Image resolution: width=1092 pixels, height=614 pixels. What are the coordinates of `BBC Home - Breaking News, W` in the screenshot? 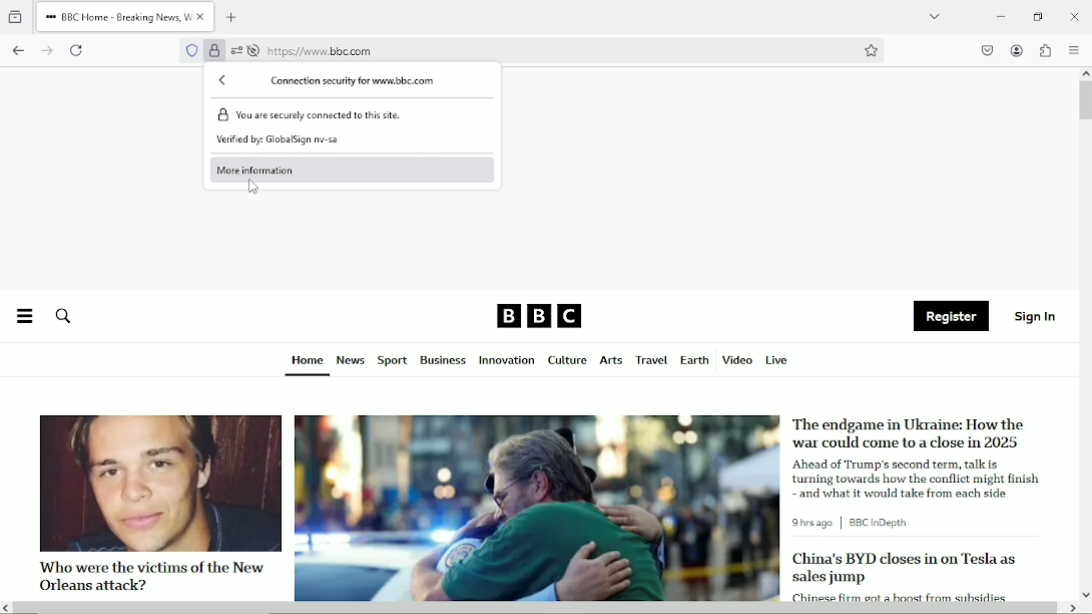 It's located at (117, 15).